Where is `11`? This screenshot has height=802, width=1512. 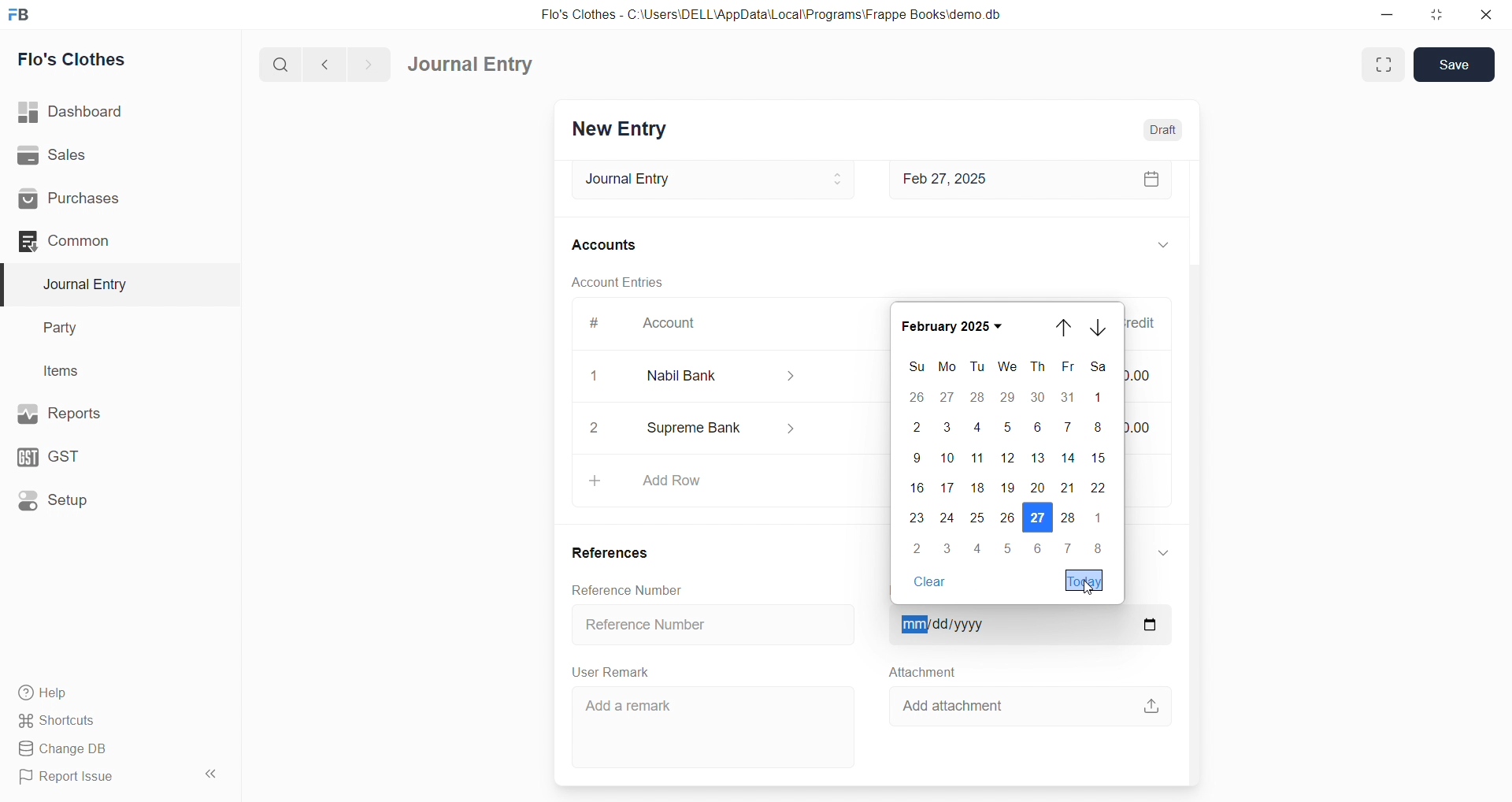
11 is located at coordinates (976, 457).